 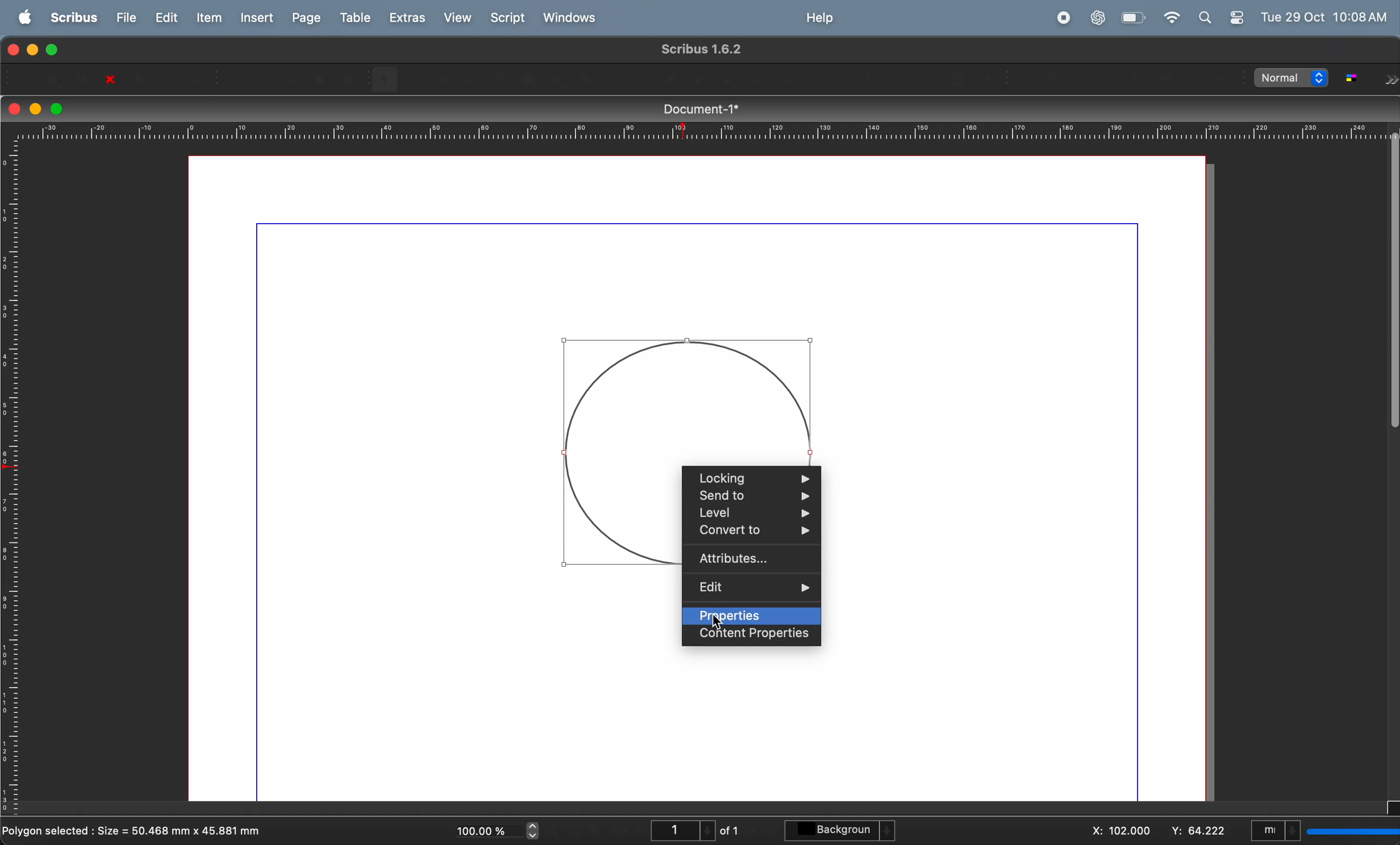 I want to click on close, so click(x=105, y=80).